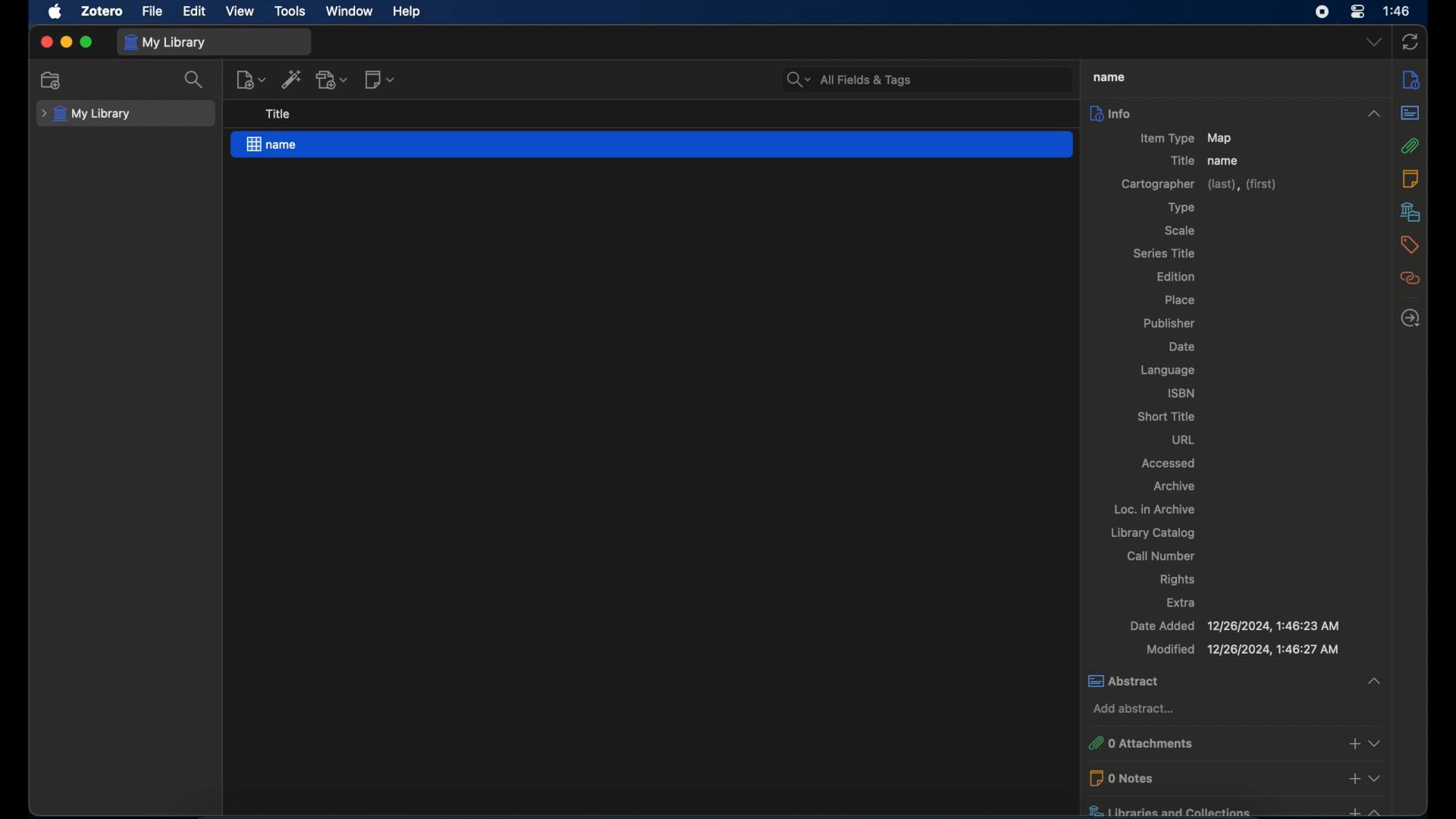 The height and width of the screenshot is (819, 1456). Describe the element at coordinates (196, 80) in the screenshot. I see `search` at that location.